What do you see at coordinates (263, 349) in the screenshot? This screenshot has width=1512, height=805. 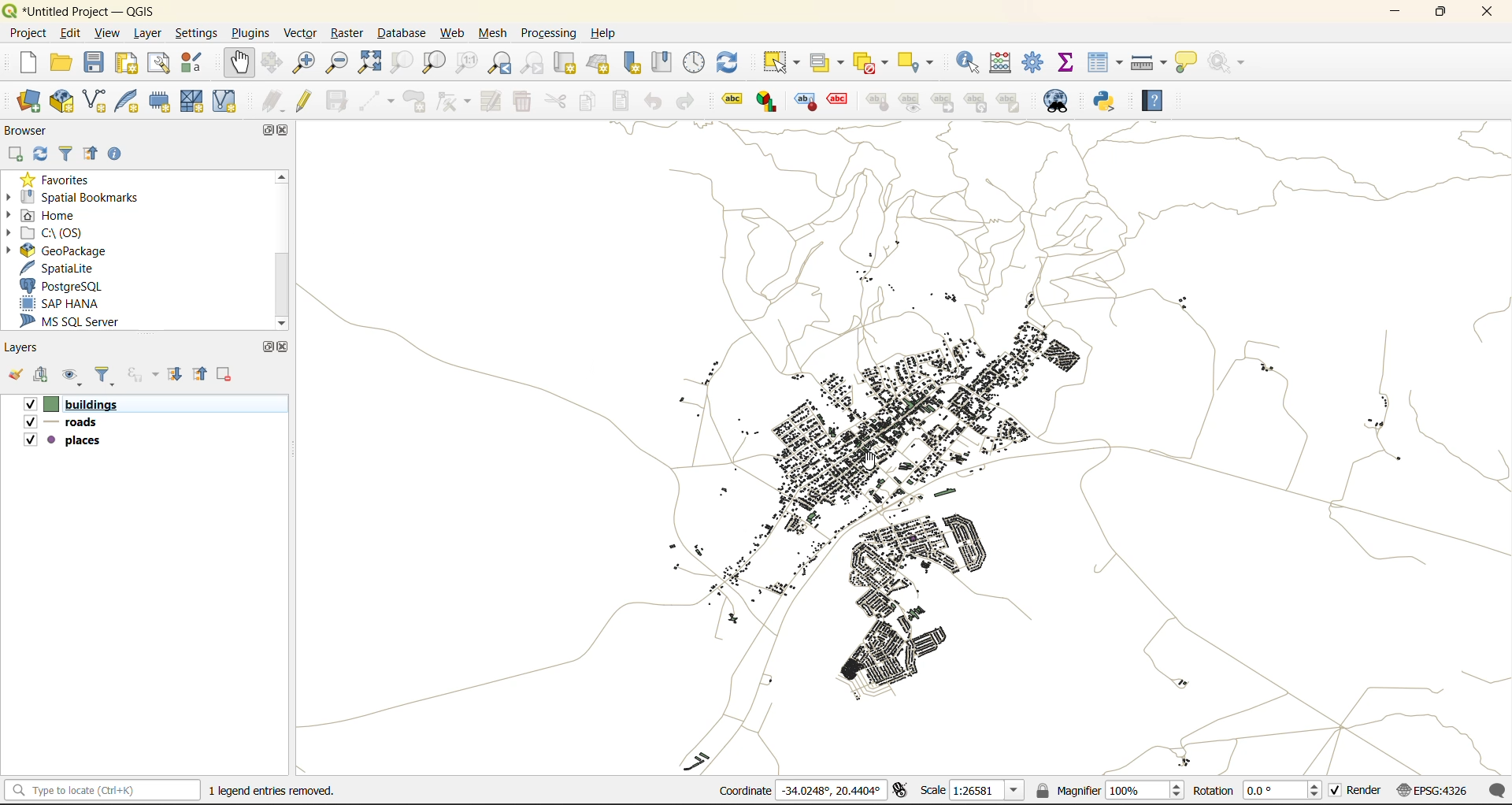 I see `maximize` at bounding box center [263, 349].